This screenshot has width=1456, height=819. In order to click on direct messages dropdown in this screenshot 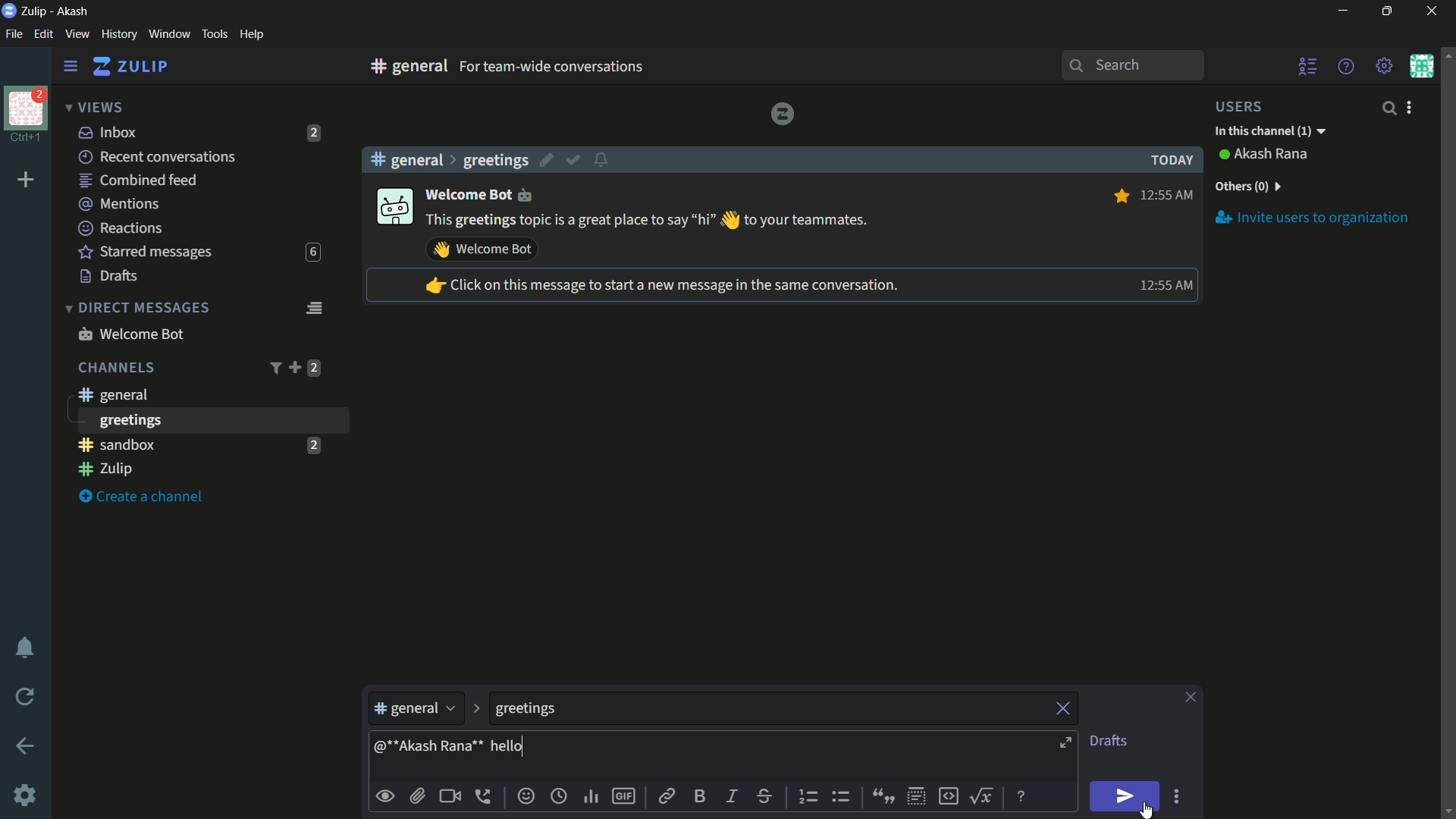, I will do `click(136, 309)`.